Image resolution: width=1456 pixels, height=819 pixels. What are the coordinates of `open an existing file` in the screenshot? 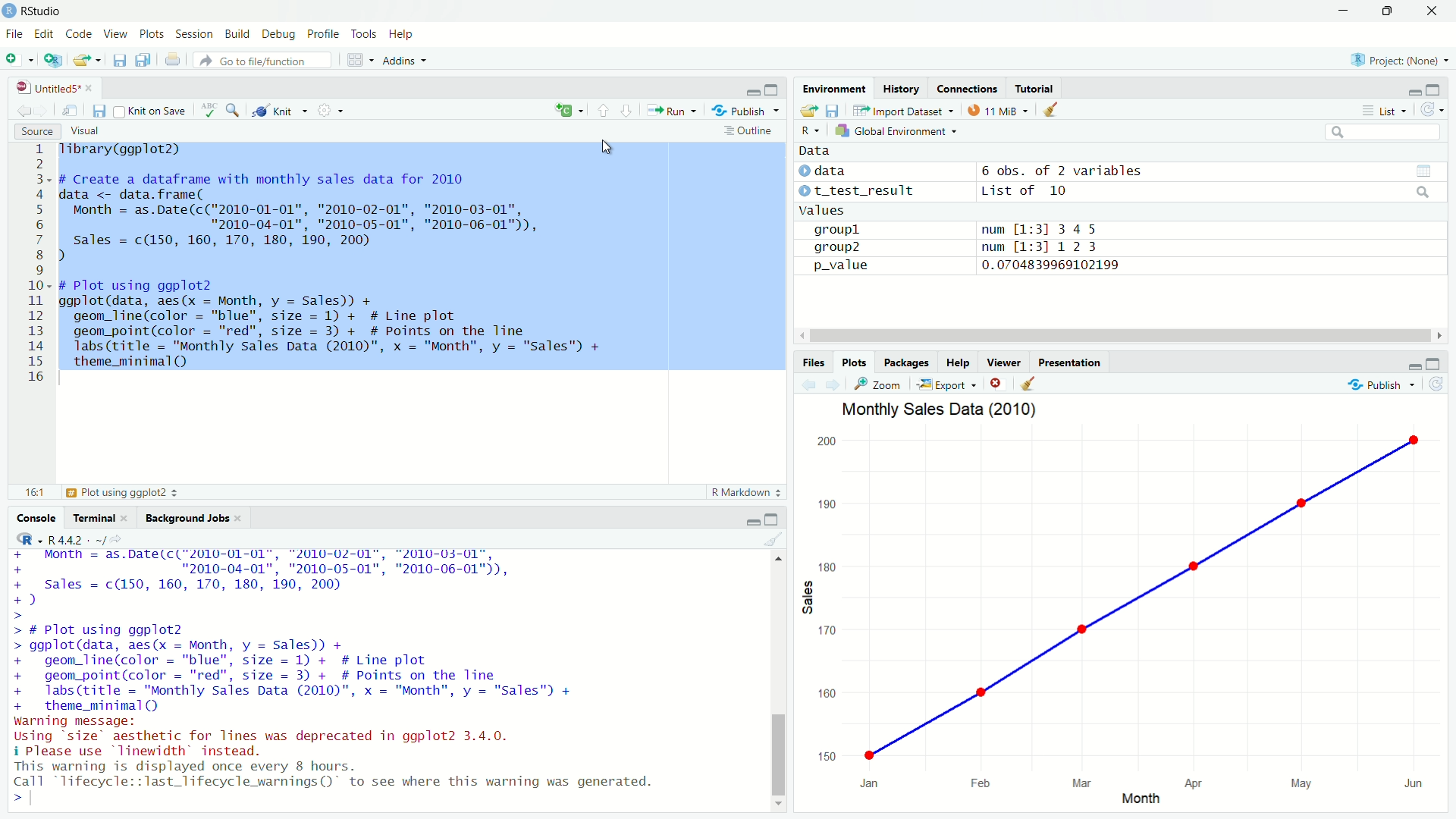 It's located at (88, 61).